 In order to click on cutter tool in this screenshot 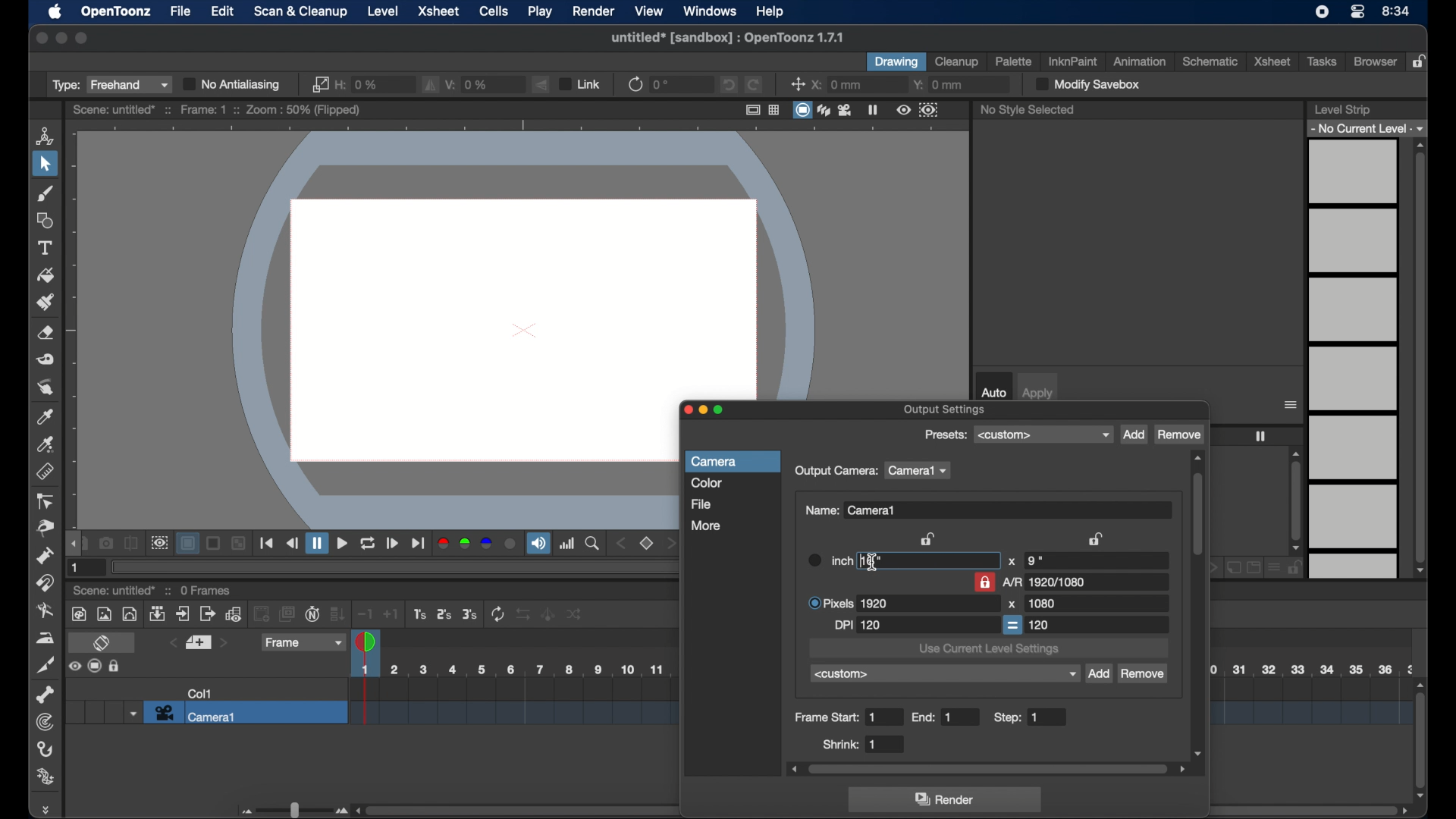, I will do `click(46, 667)`.